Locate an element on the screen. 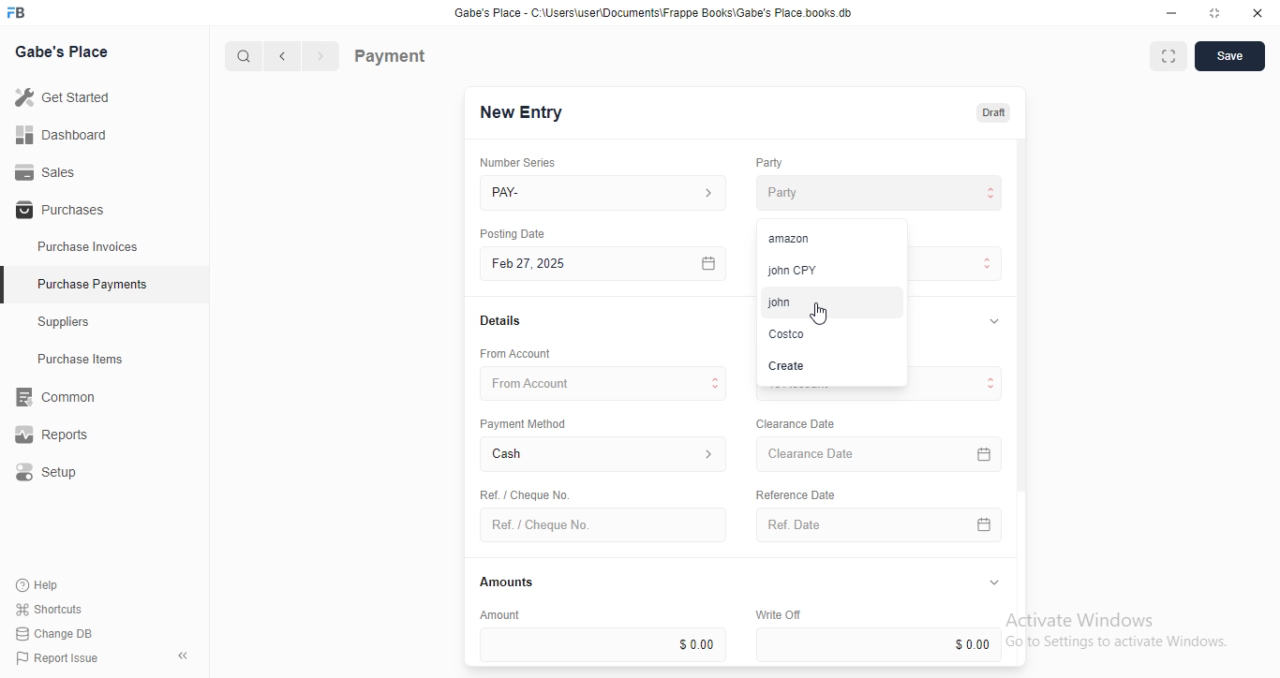 This screenshot has height=678, width=1280. john  is located at coordinates (799, 301).